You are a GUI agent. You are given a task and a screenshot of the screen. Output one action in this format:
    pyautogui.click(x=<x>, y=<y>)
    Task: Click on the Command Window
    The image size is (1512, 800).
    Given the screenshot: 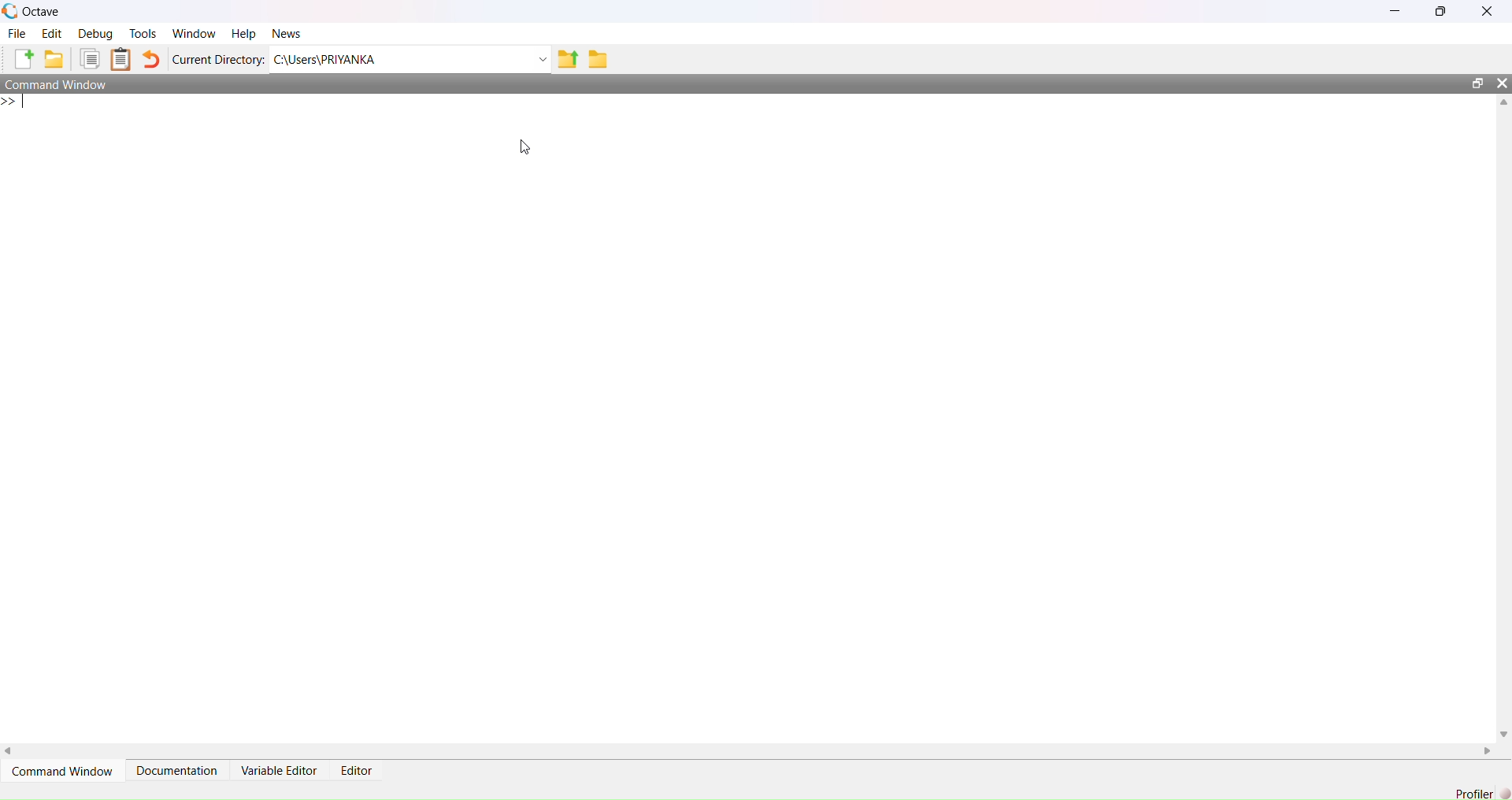 What is the action you would take?
    pyautogui.click(x=66, y=772)
    